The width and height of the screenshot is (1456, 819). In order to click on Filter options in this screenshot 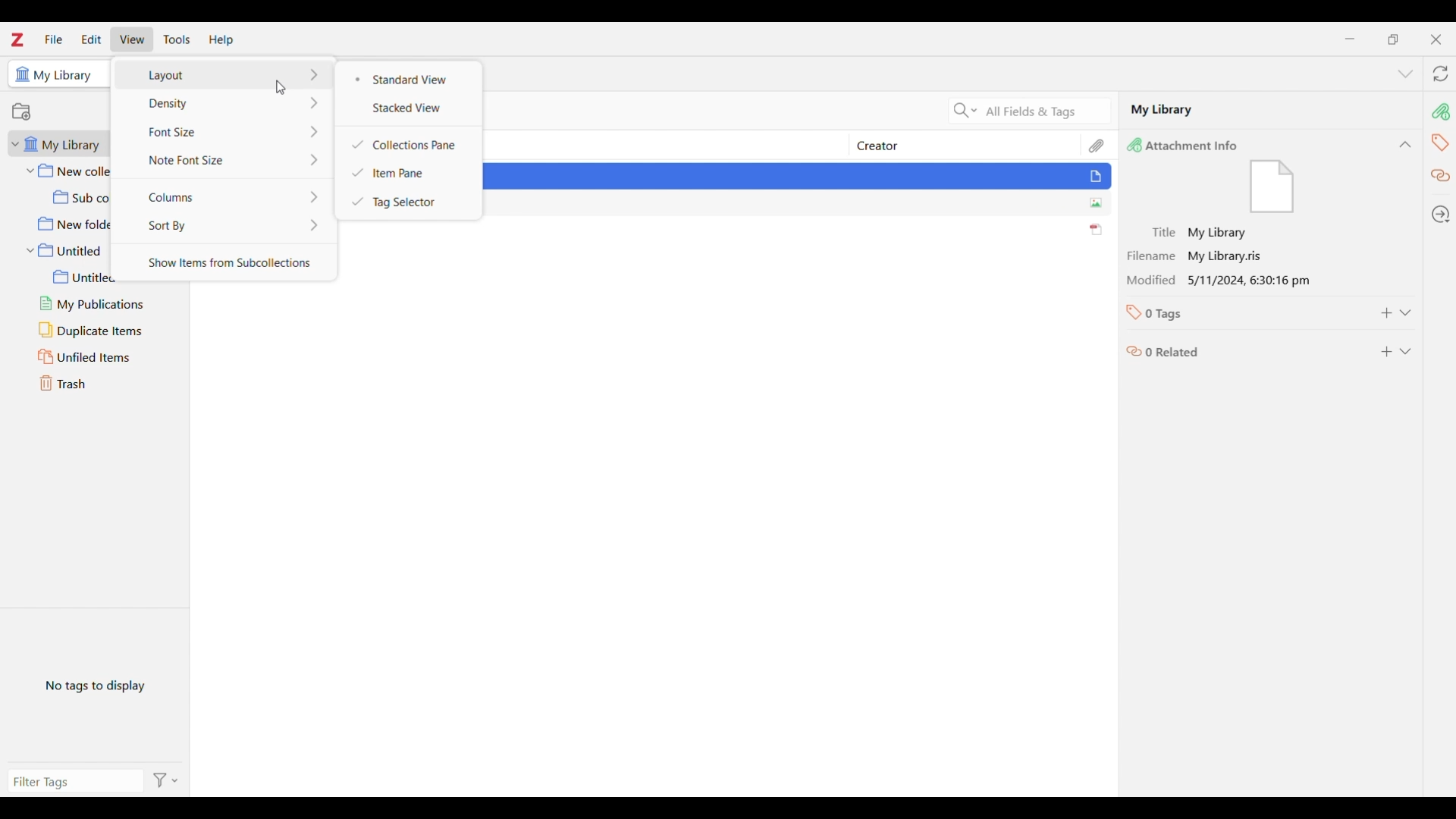, I will do `click(165, 780)`.